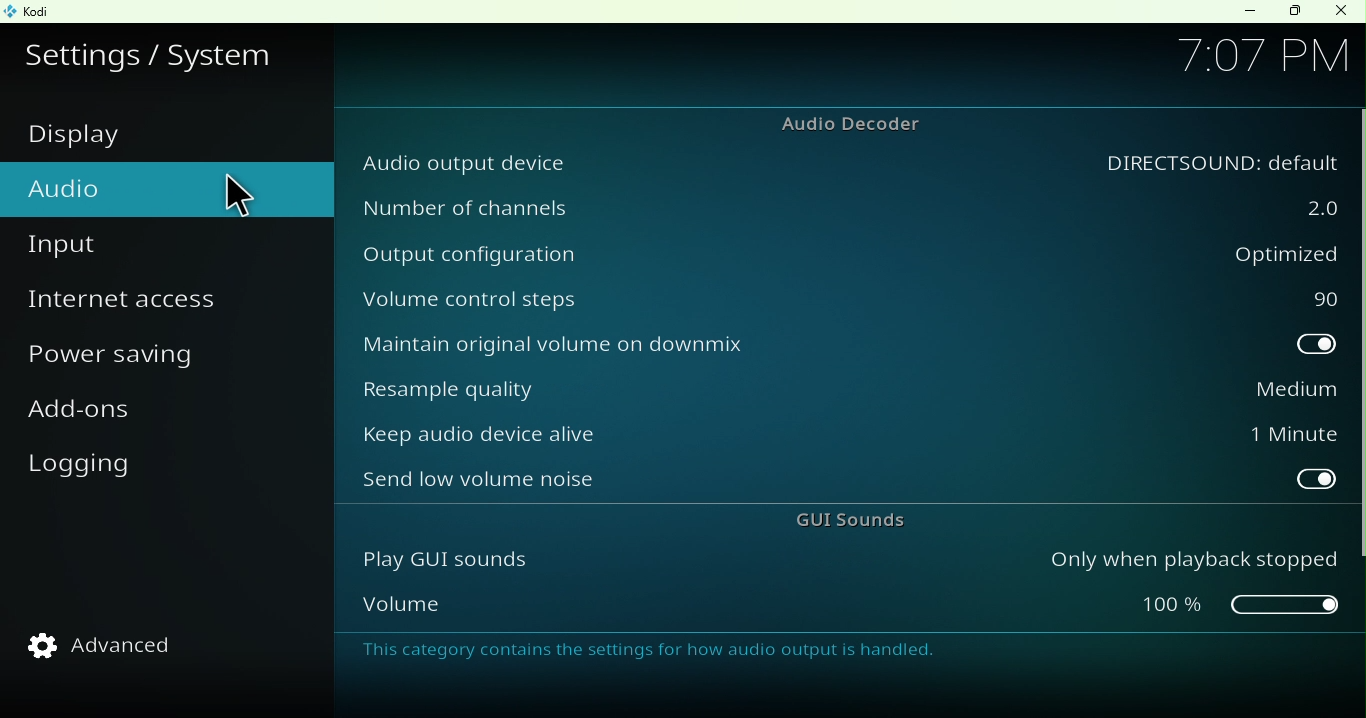  What do you see at coordinates (842, 121) in the screenshot?
I see `Audio decoder` at bounding box center [842, 121].